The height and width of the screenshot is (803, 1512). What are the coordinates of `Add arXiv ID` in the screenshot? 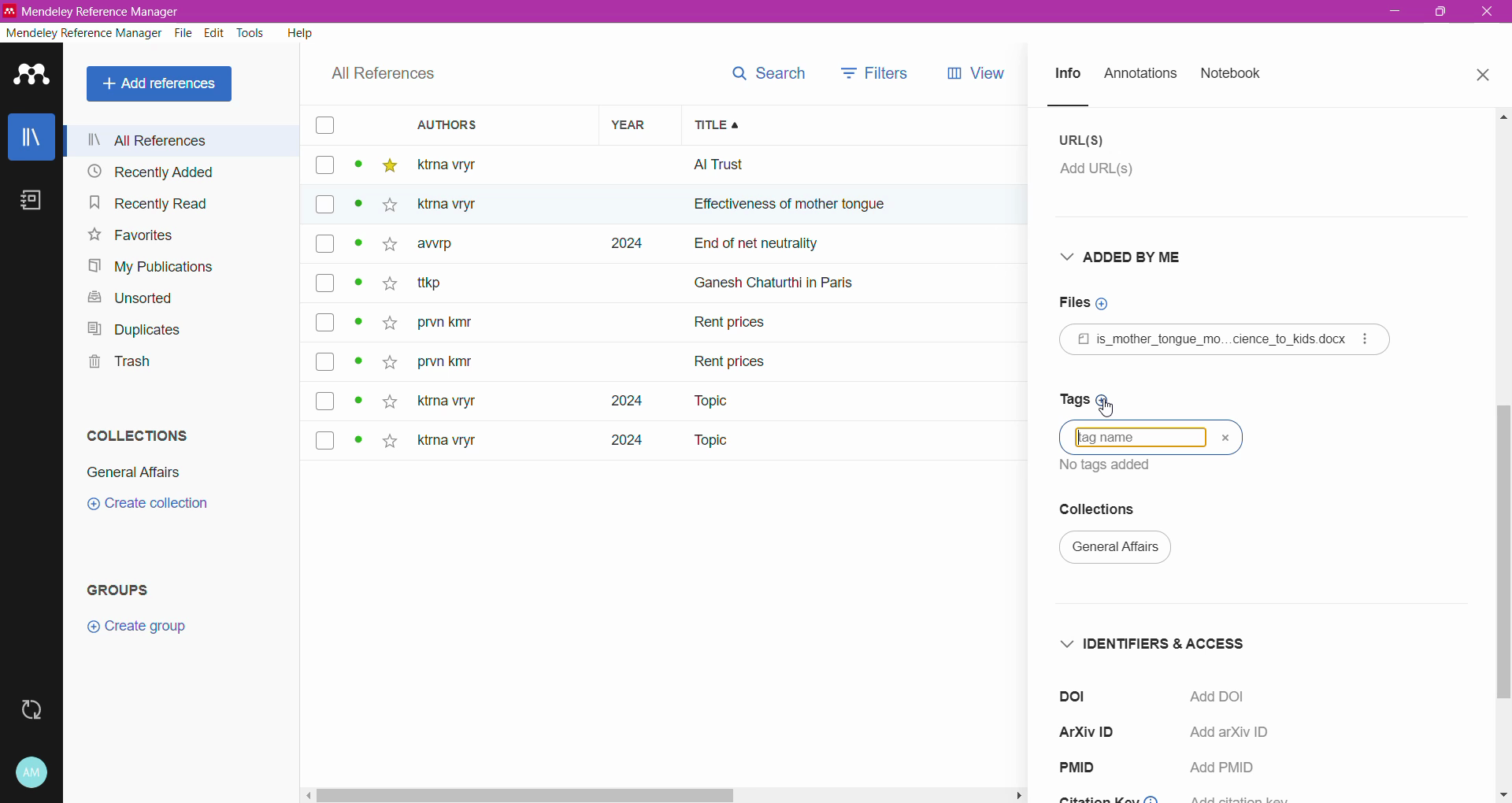 It's located at (1232, 730).